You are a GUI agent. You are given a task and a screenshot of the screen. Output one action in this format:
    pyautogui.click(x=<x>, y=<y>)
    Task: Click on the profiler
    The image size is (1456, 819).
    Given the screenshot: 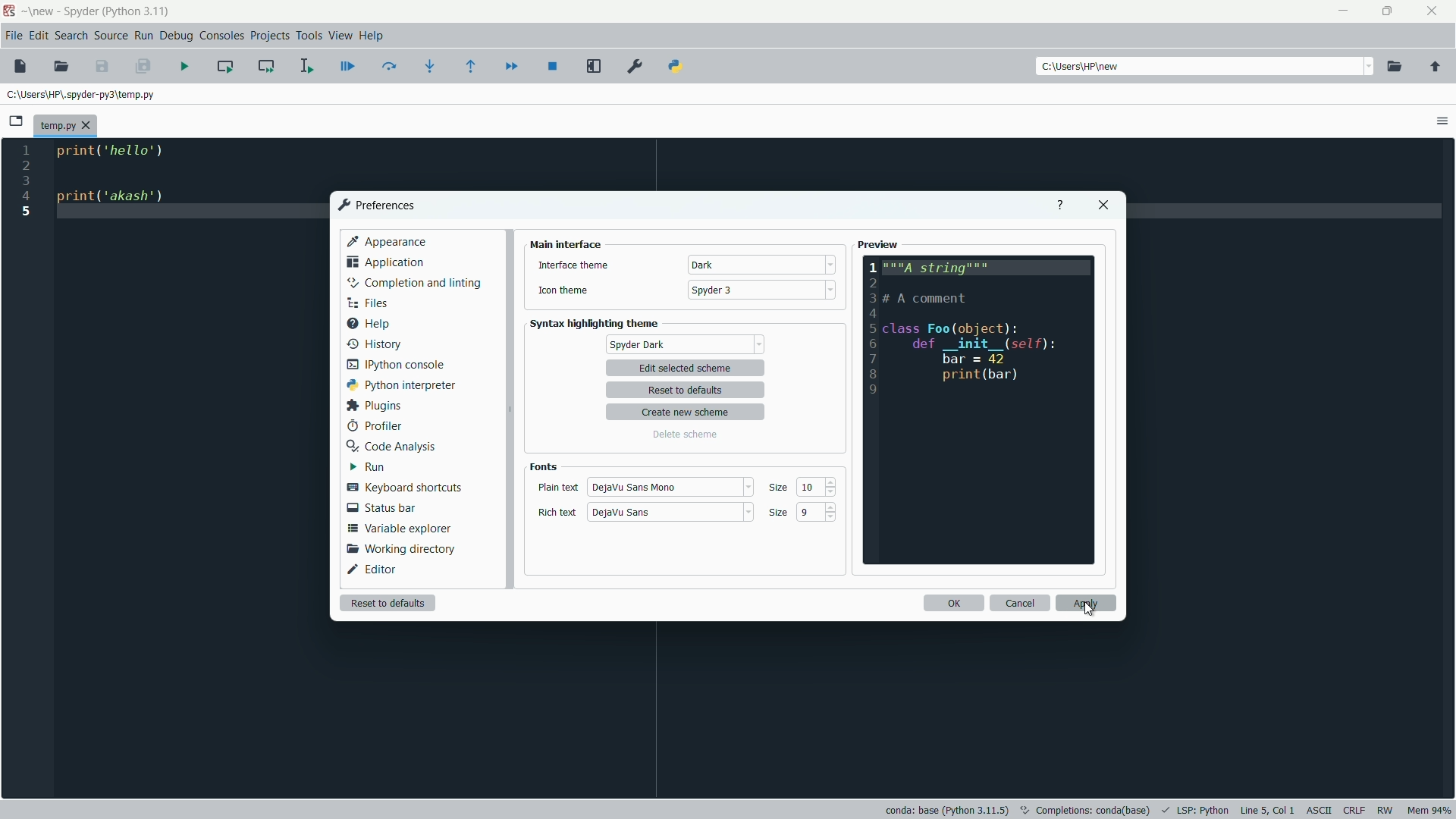 What is the action you would take?
    pyautogui.click(x=373, y=426)
    